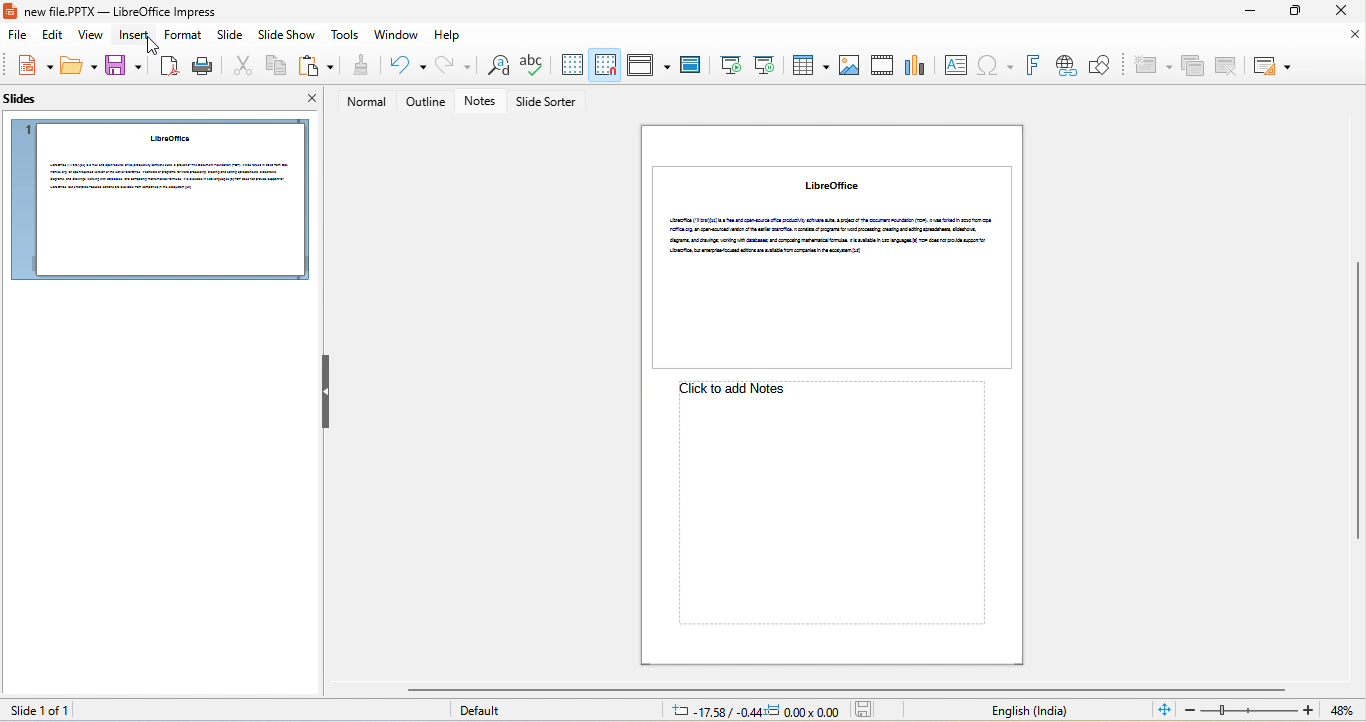  I want to click on spelling, so click(532, 66).